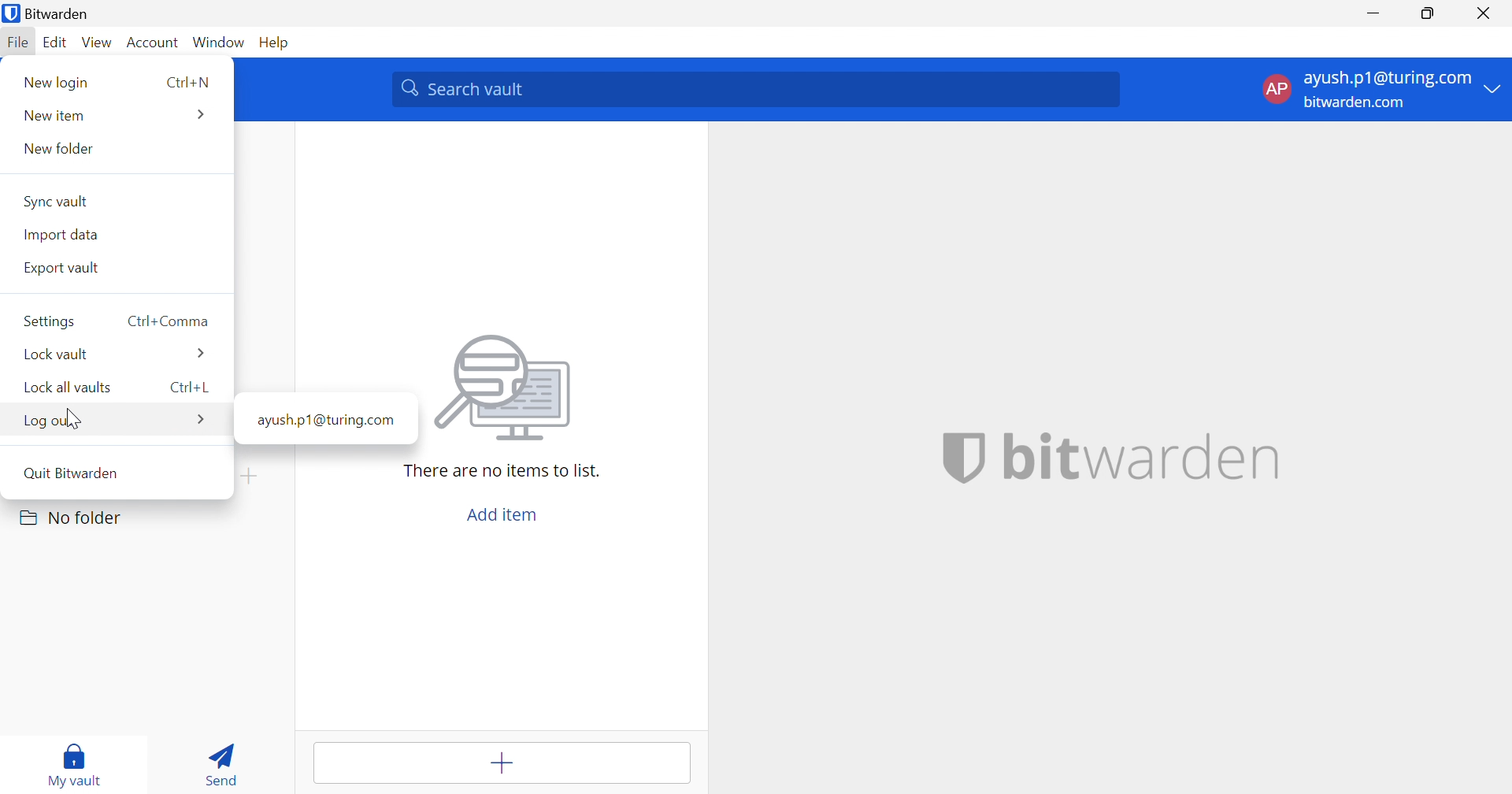 The width and height of the screenshot is (1512, 794). Describe the element at coordinates (50, 14) in the screenshot. I see `Bitwarden` at that location.